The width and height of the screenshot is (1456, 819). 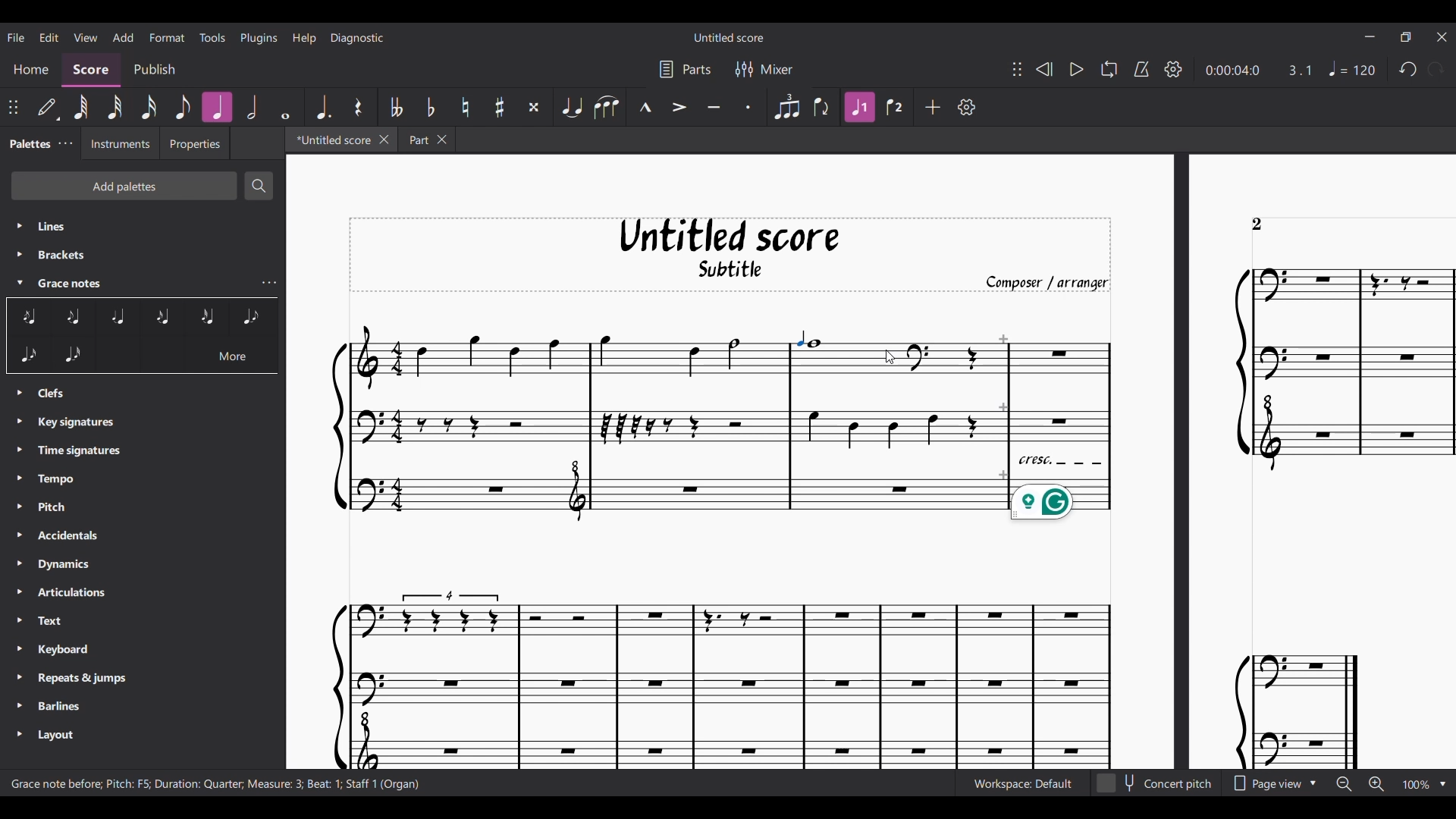 What do you see at coordinates (678, 106) in the screenshot?
I see `Accent` at bounding box center [678, 106].